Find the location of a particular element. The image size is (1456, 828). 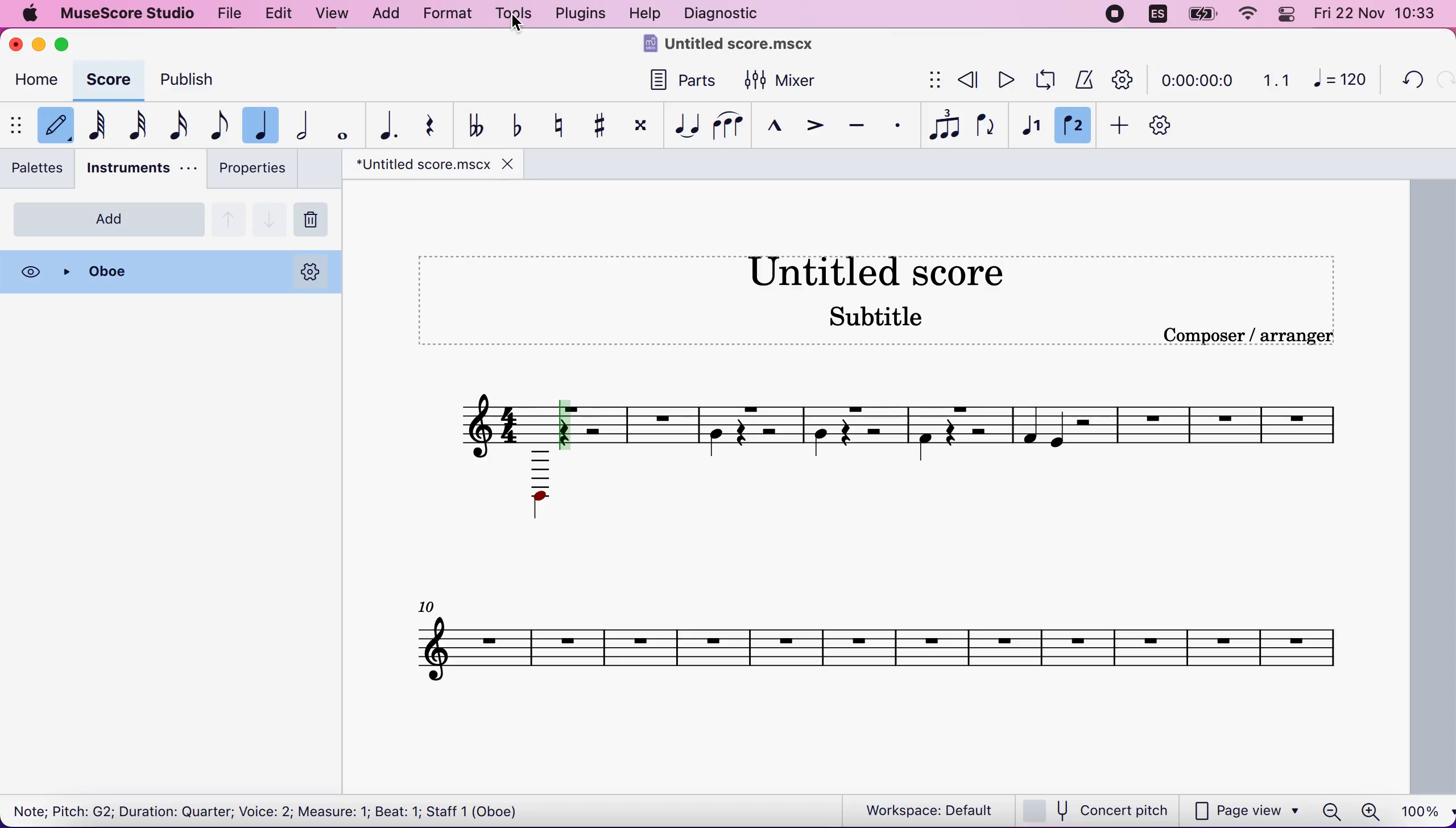

accent is located at coordinates (816, 127).